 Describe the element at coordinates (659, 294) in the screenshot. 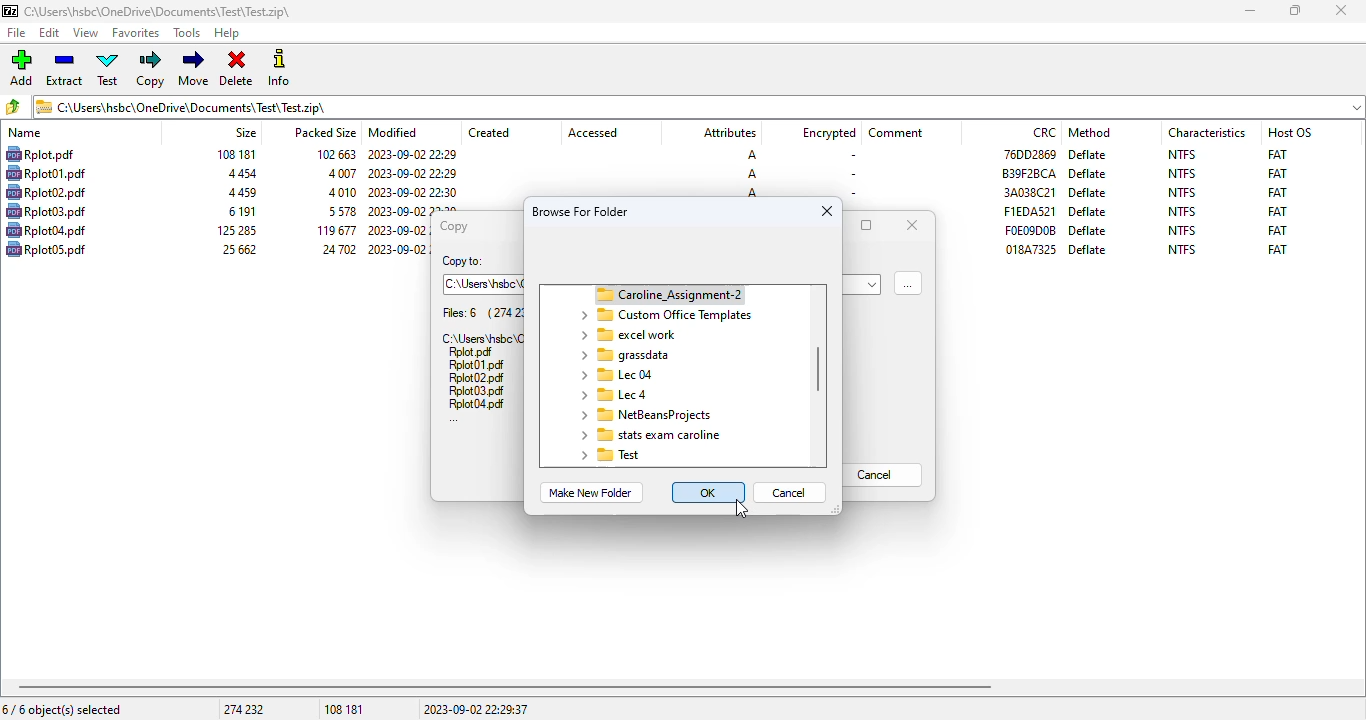

I see `folder` at that location.